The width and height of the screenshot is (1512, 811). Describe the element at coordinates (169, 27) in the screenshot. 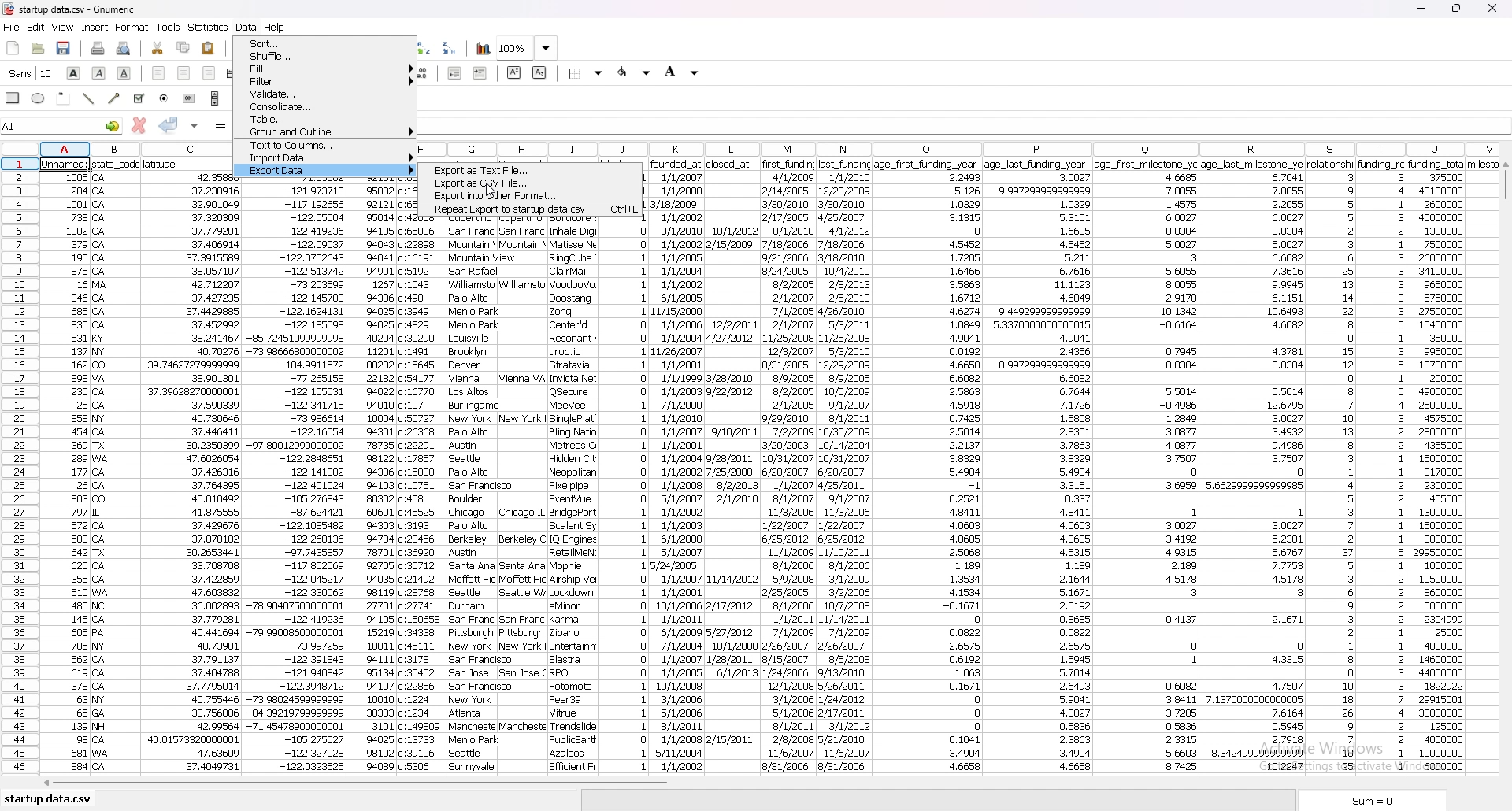

I see `tools` at that location.